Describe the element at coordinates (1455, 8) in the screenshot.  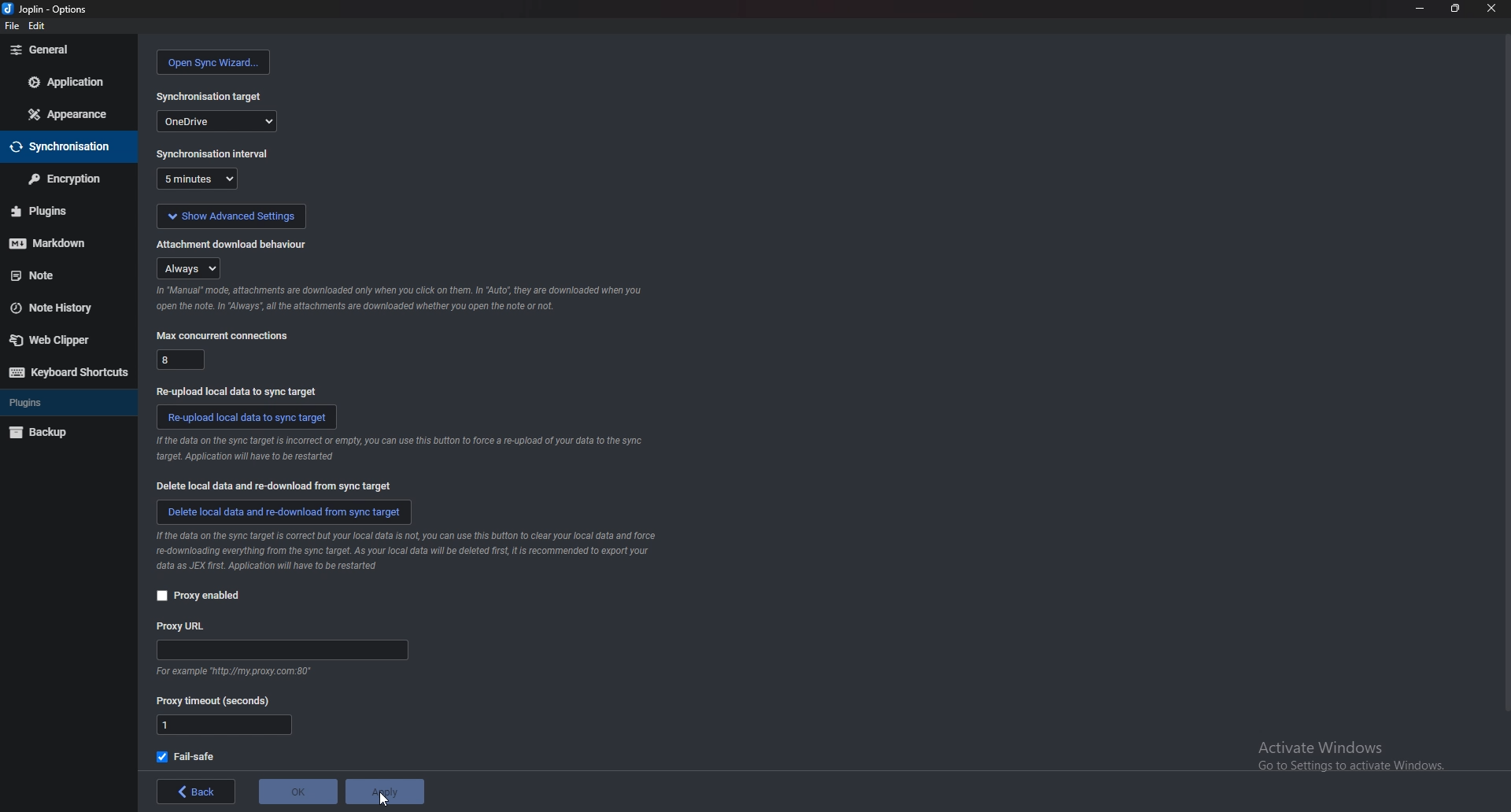
I see `resize` at that location.